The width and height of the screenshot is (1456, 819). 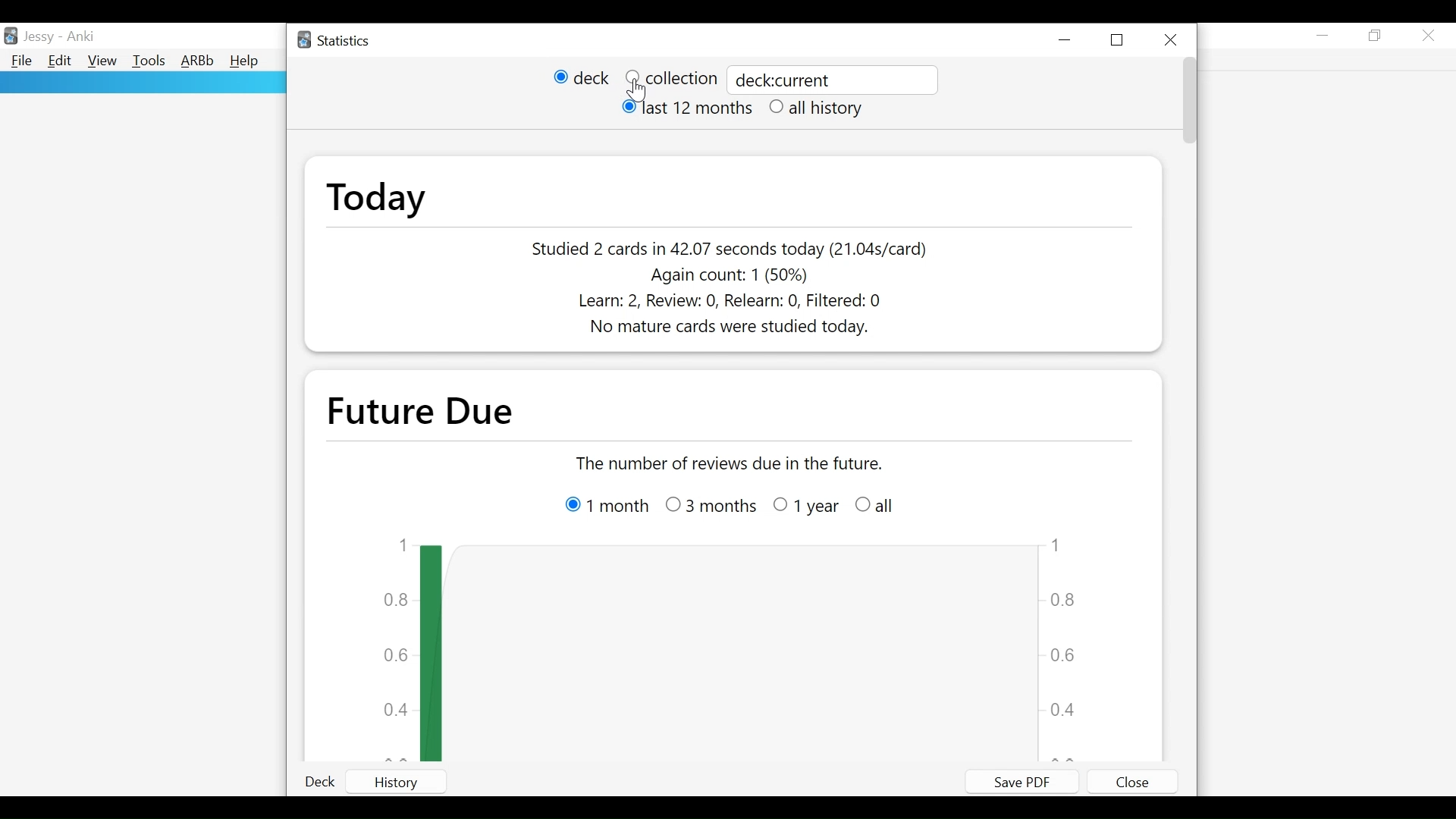 I want to click on User Nmae, so click(x=39, y=39).